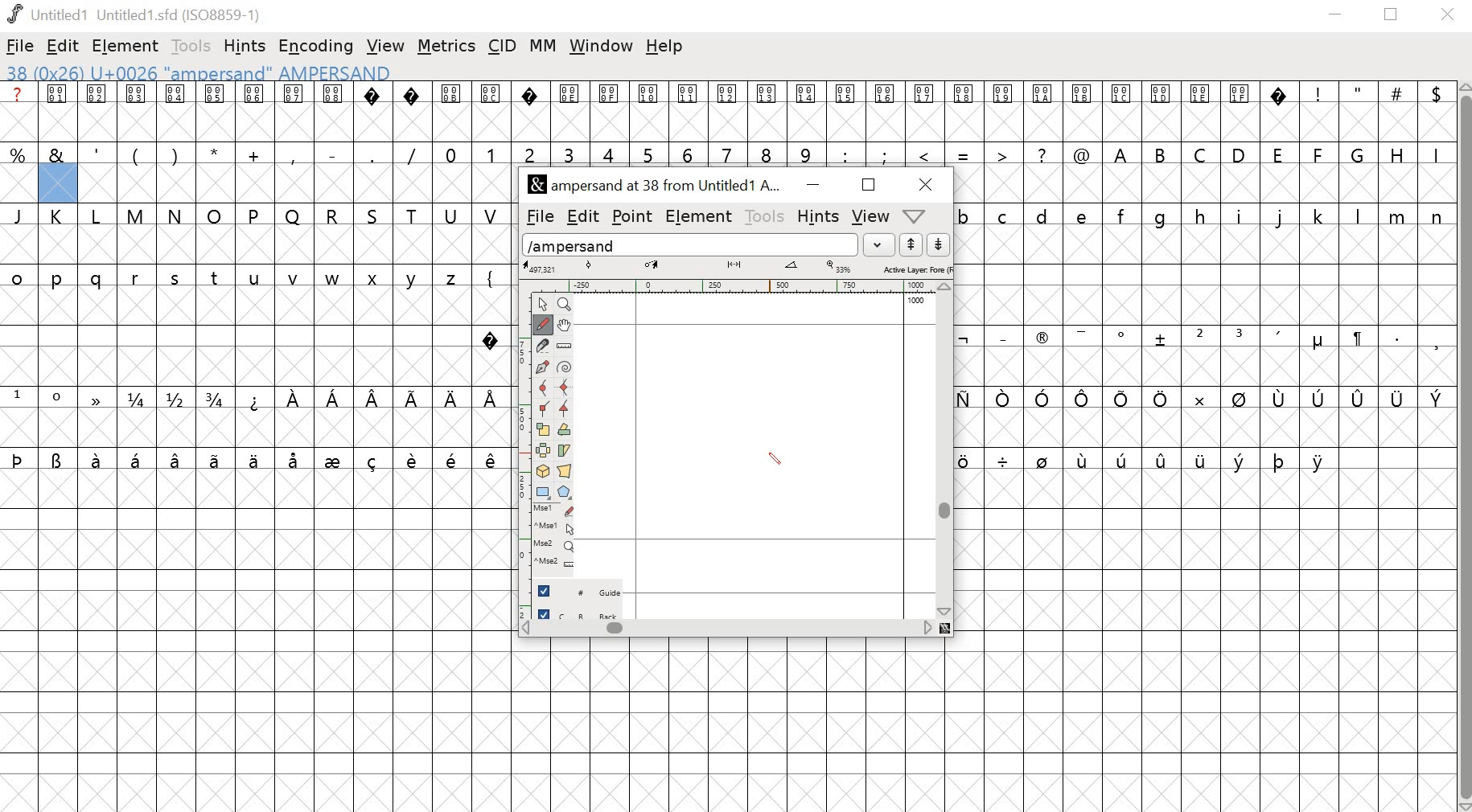  Describe the element at coordinates (911, 245) in the screenshot. I see `previous word in the word list` at that location.